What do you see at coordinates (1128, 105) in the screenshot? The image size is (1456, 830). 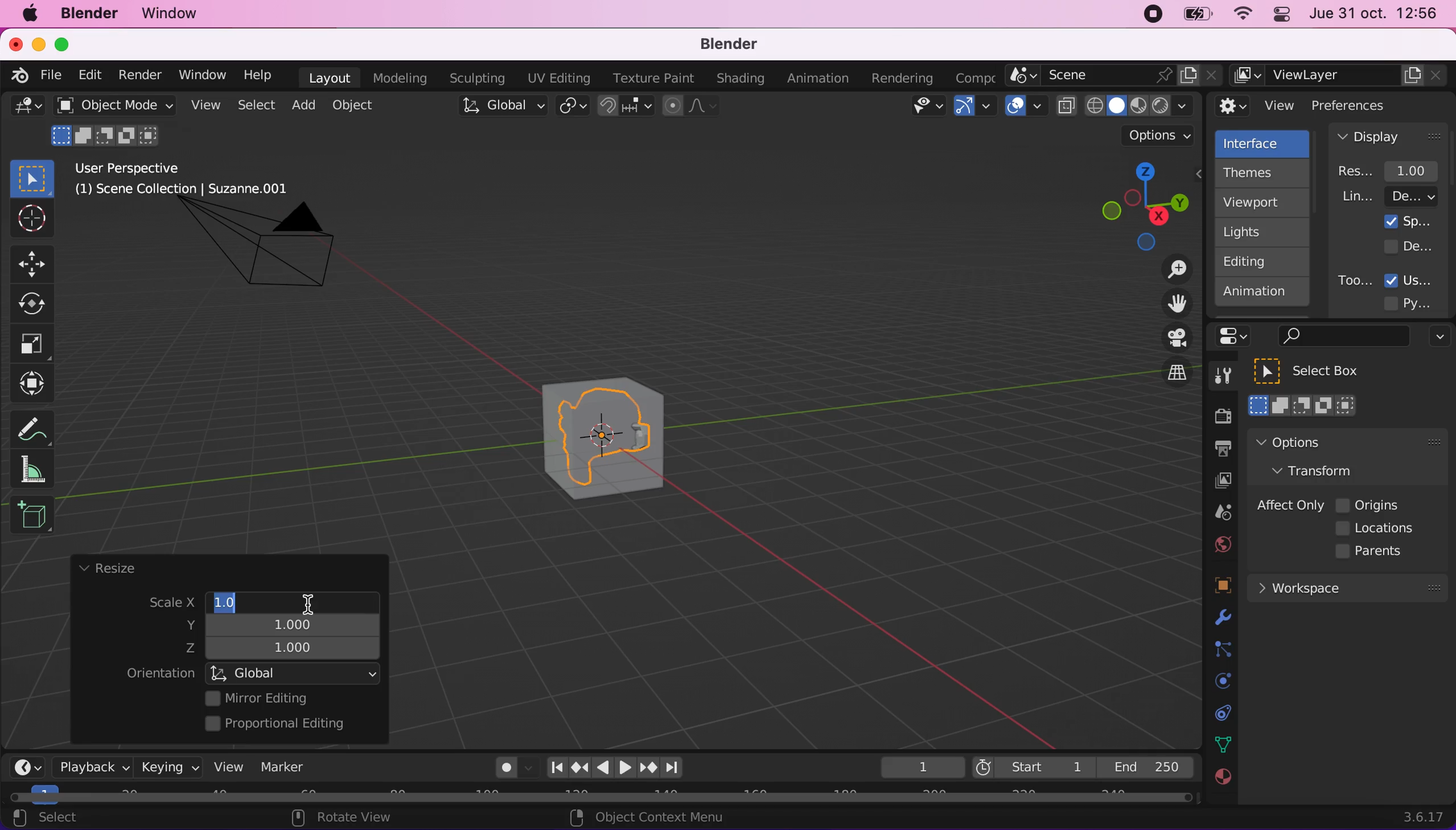 I see `viewport shading` at bounding box center [1128, 105].